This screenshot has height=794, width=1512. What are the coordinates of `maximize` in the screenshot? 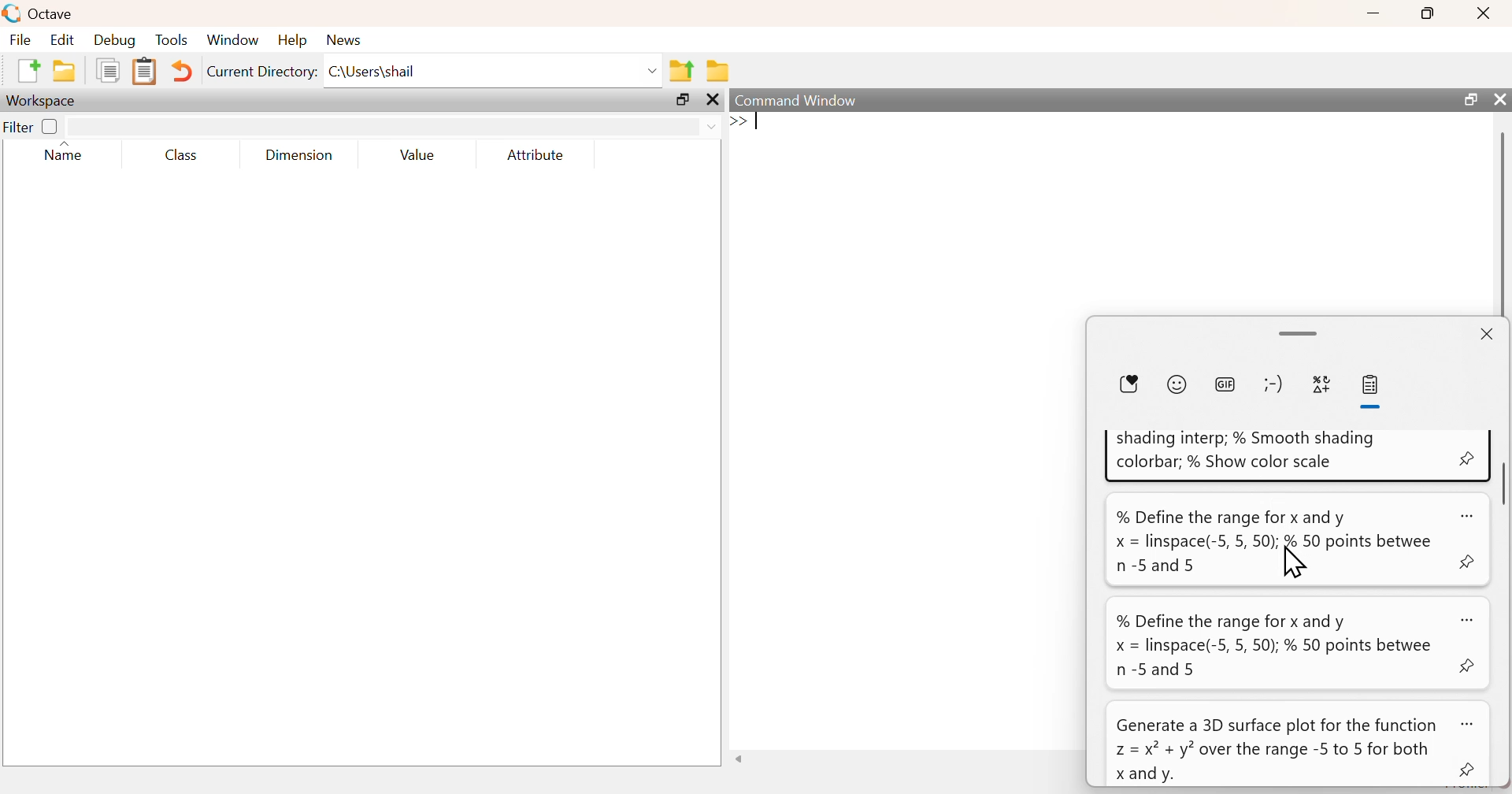 It's located at (1469, 98).